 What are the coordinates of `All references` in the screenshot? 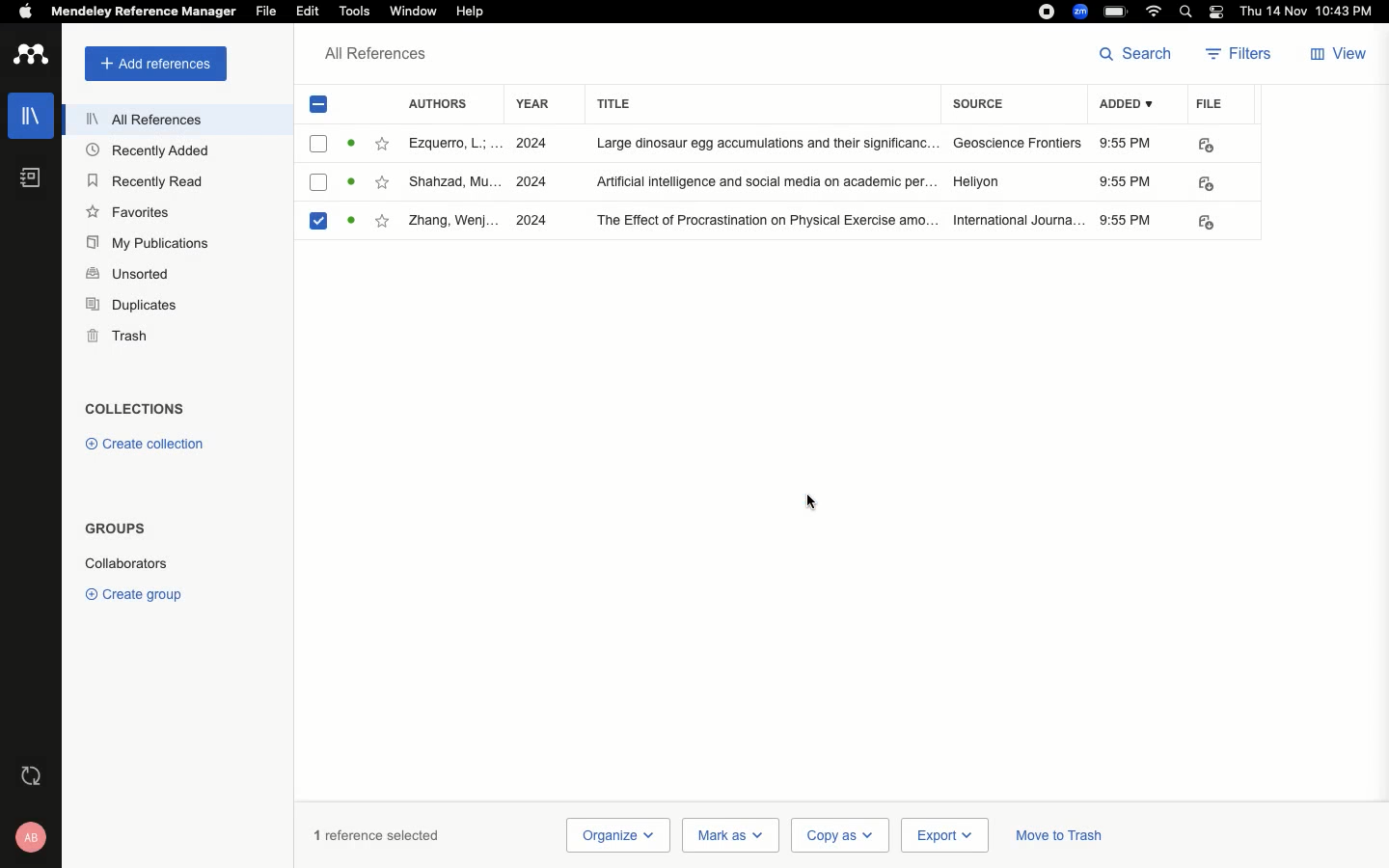 It's located at (376, 58).